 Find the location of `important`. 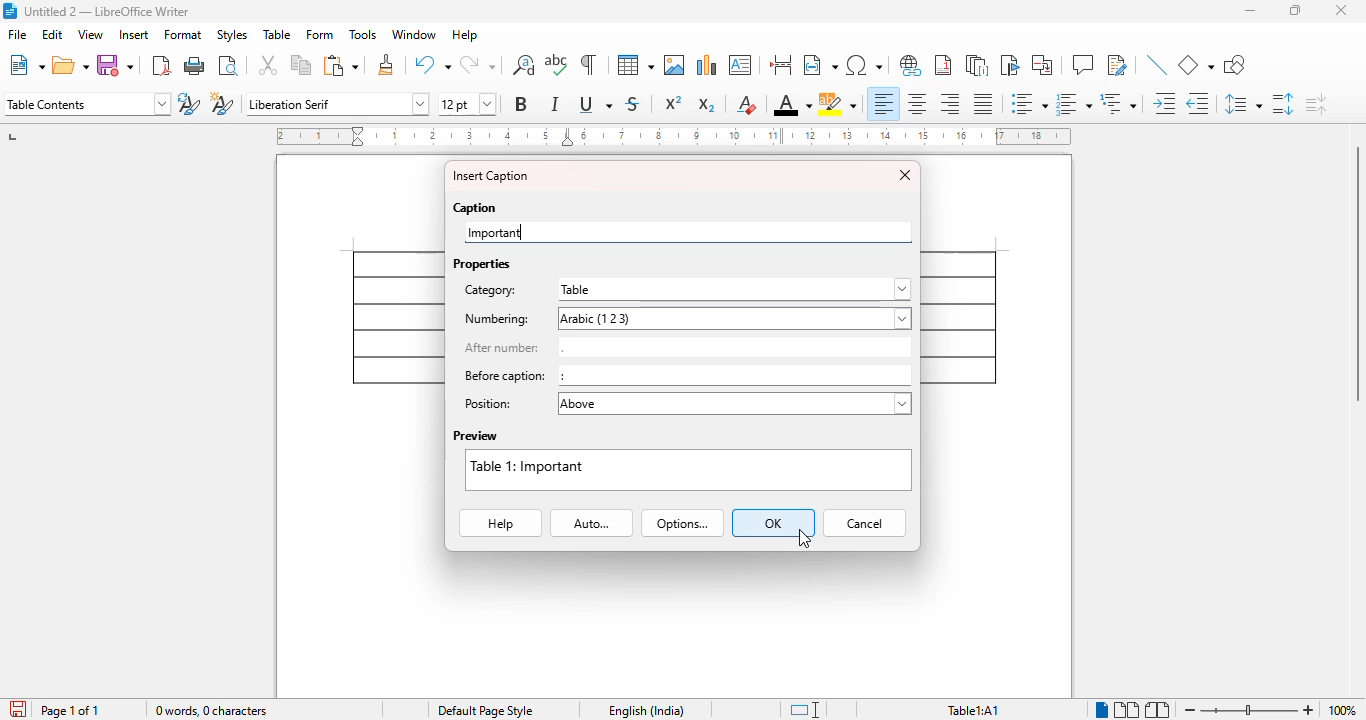

important is located at coordinates (495, 232).